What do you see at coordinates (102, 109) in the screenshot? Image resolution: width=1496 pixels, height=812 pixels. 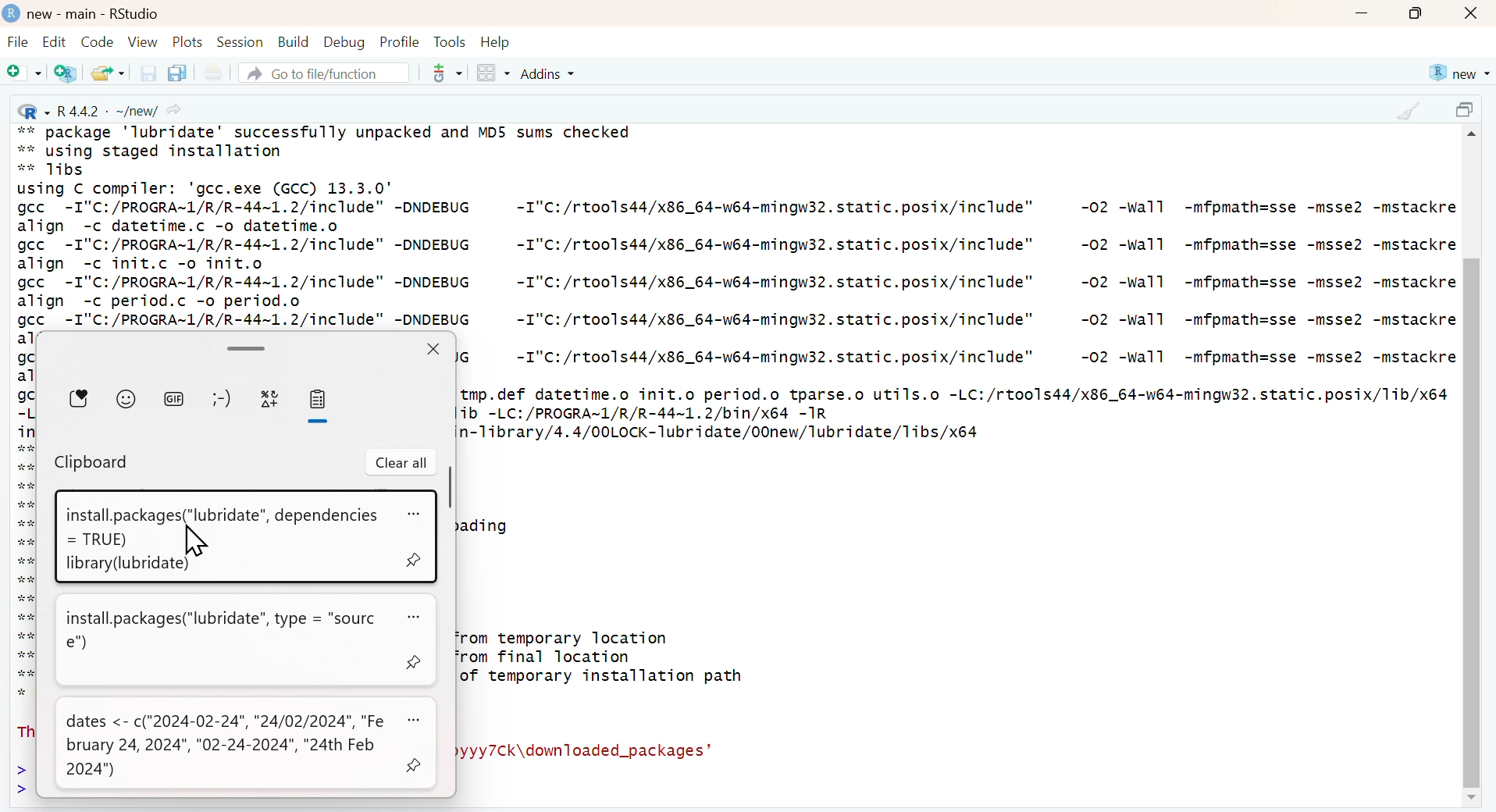 I see `R 4.4.2 . ~/new/` at bounding box center [102, 109].